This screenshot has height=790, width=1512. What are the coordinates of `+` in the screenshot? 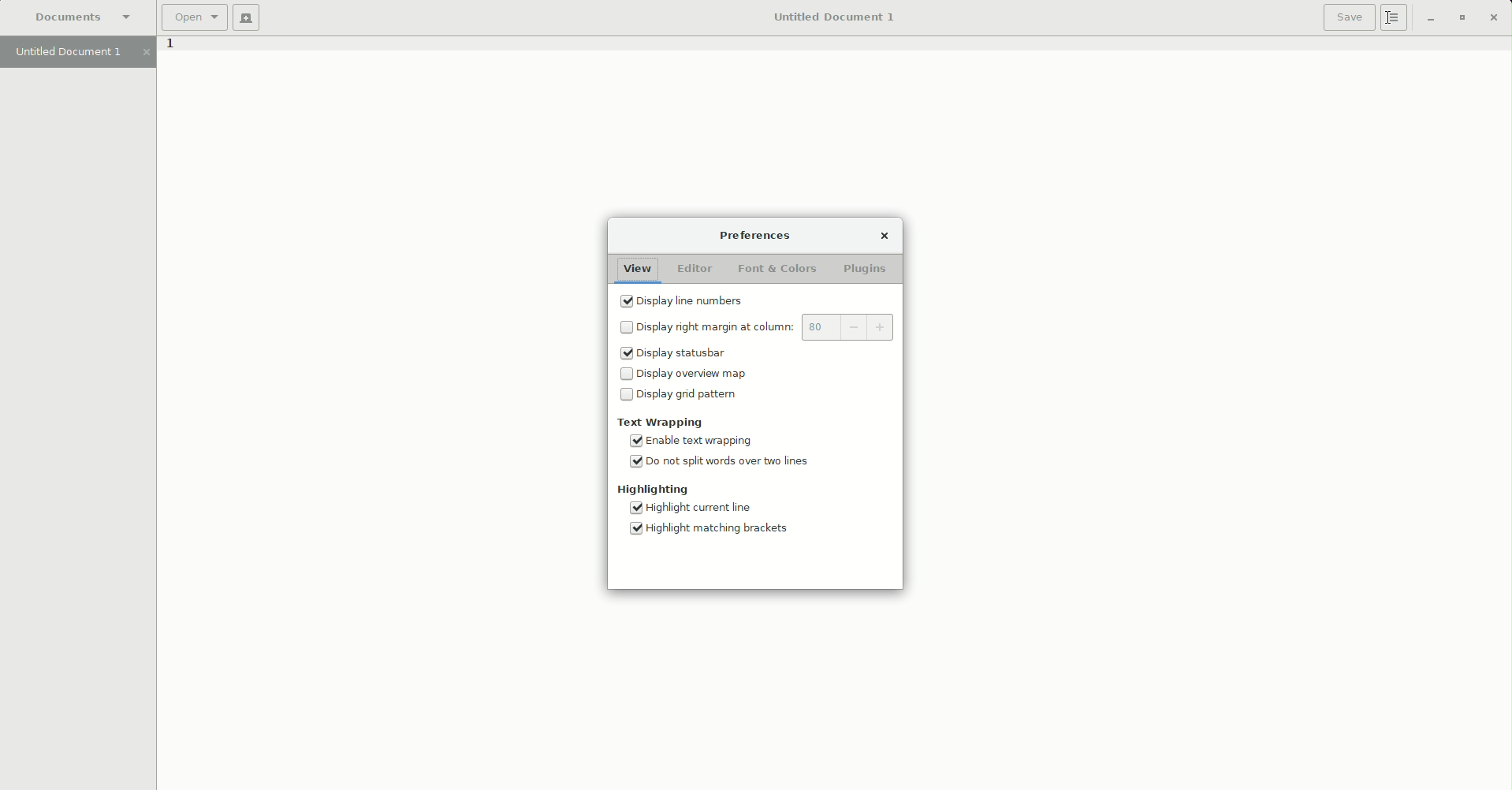 It's located at (879, 327).